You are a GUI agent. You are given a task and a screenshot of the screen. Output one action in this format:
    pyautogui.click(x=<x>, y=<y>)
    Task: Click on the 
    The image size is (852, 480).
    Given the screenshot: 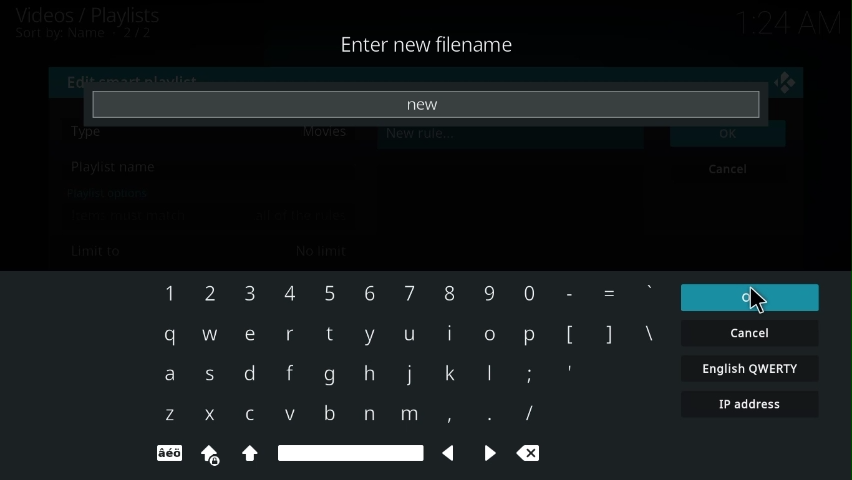 What is the action you would take?
    pyautogui.click(x=488, y=296)
    